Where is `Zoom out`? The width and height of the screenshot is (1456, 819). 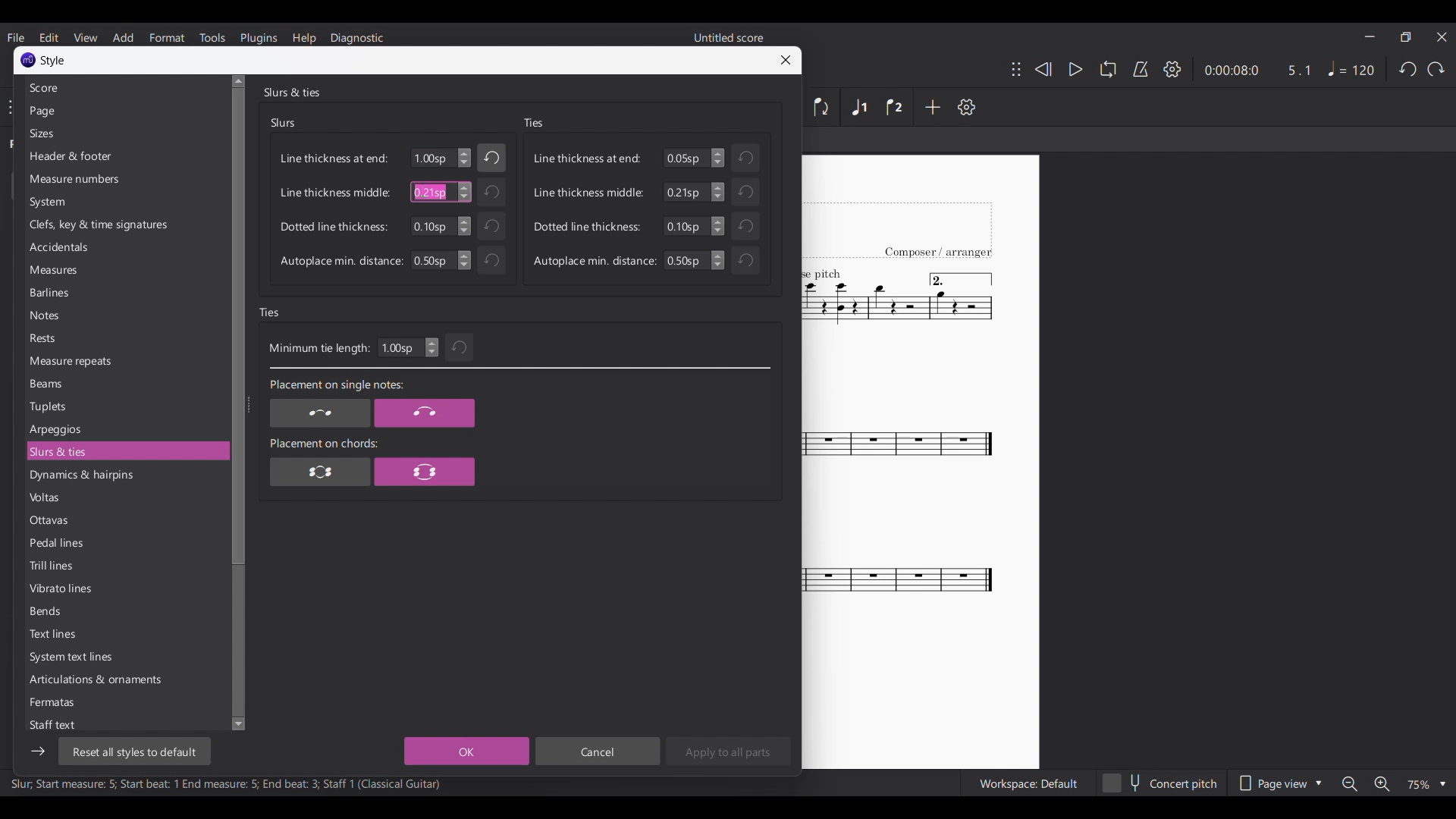 Zoom out is located at coordinates (1350, 783).